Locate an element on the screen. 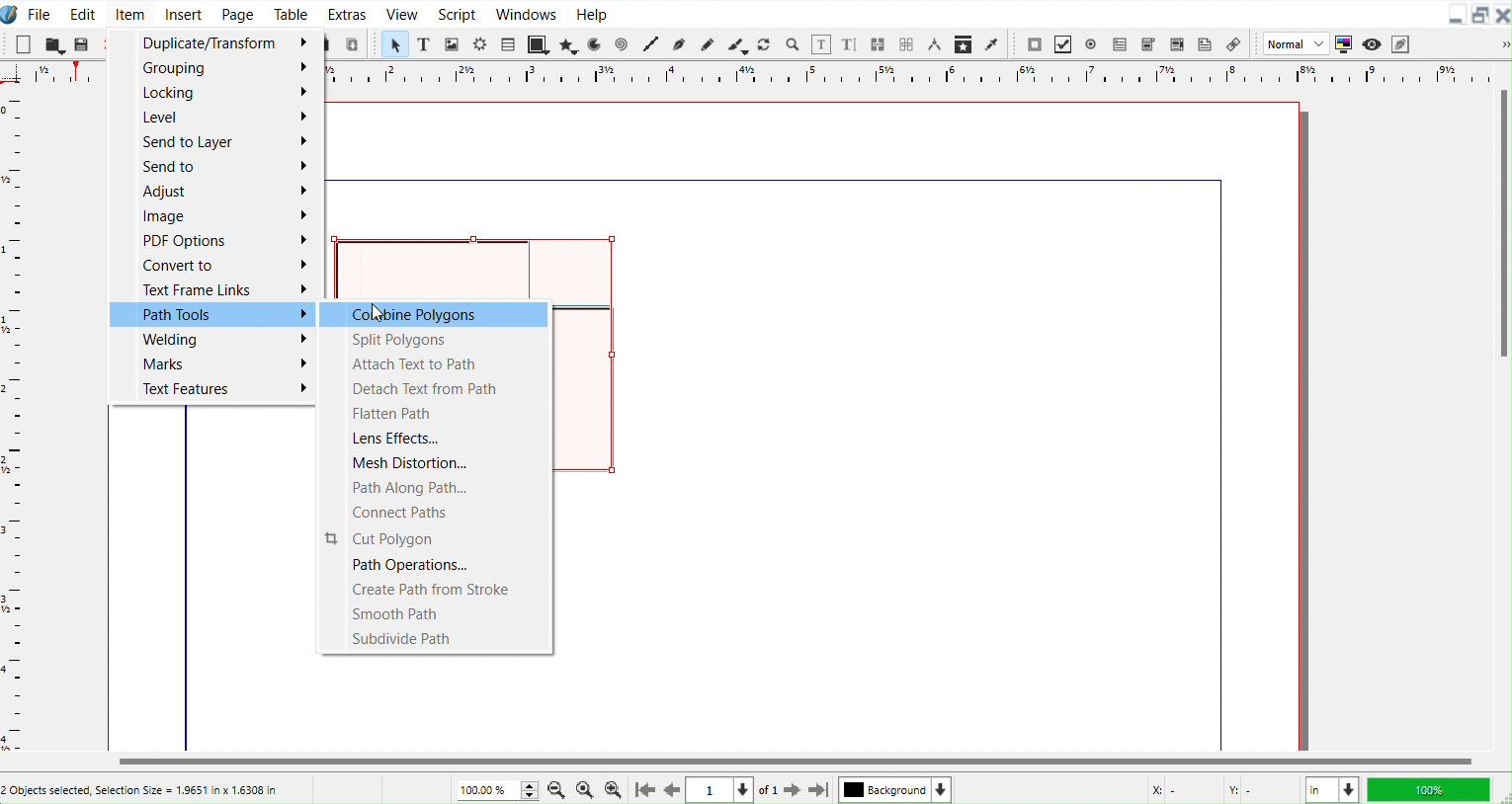  X Co-ordinate is located at coordinates (1178, 790).